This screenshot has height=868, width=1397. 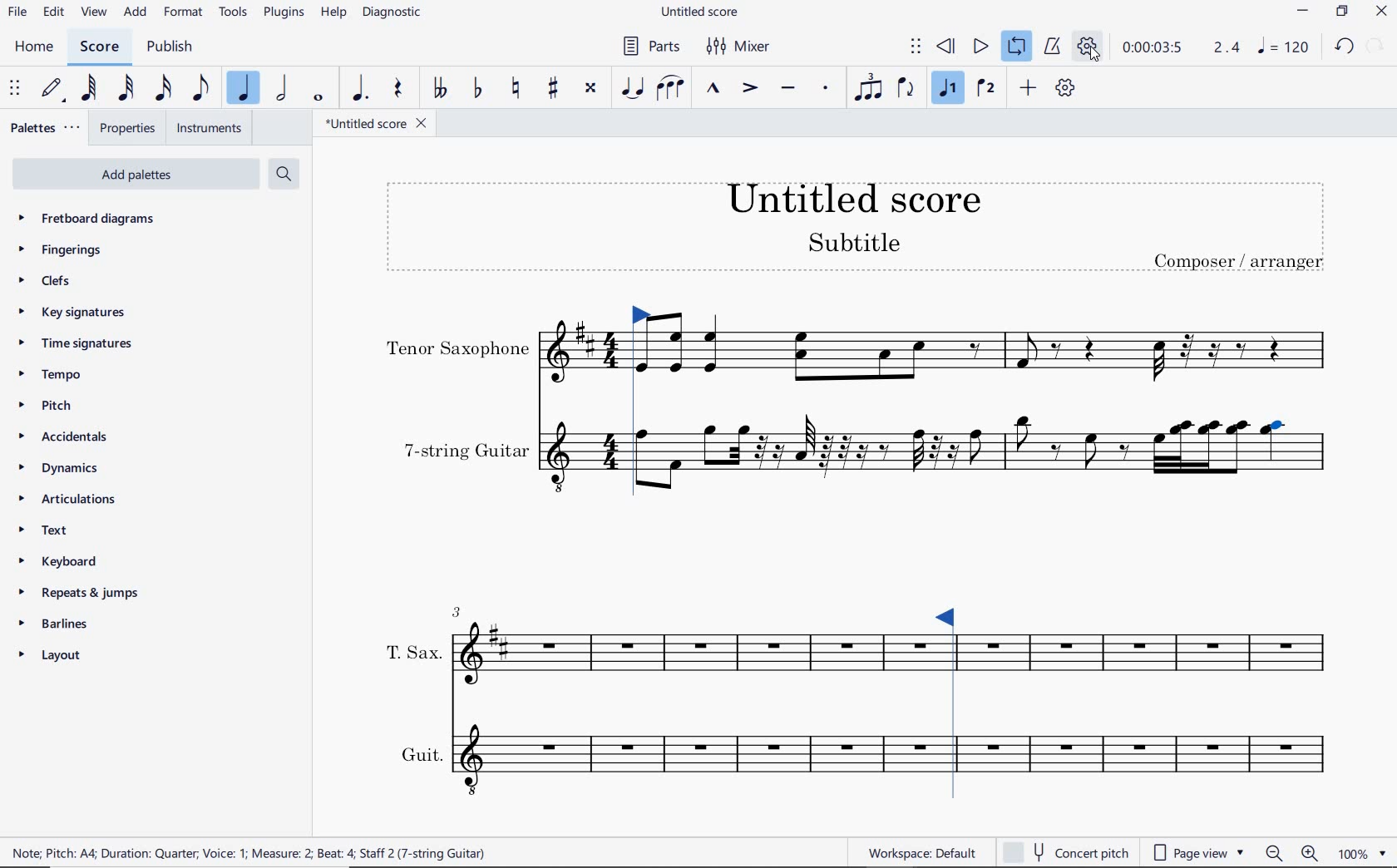 What do you see at coordinates (516, 88) in the screenshot?
I see `TOGGLE NATURAL` at bounding box center [516, 88].